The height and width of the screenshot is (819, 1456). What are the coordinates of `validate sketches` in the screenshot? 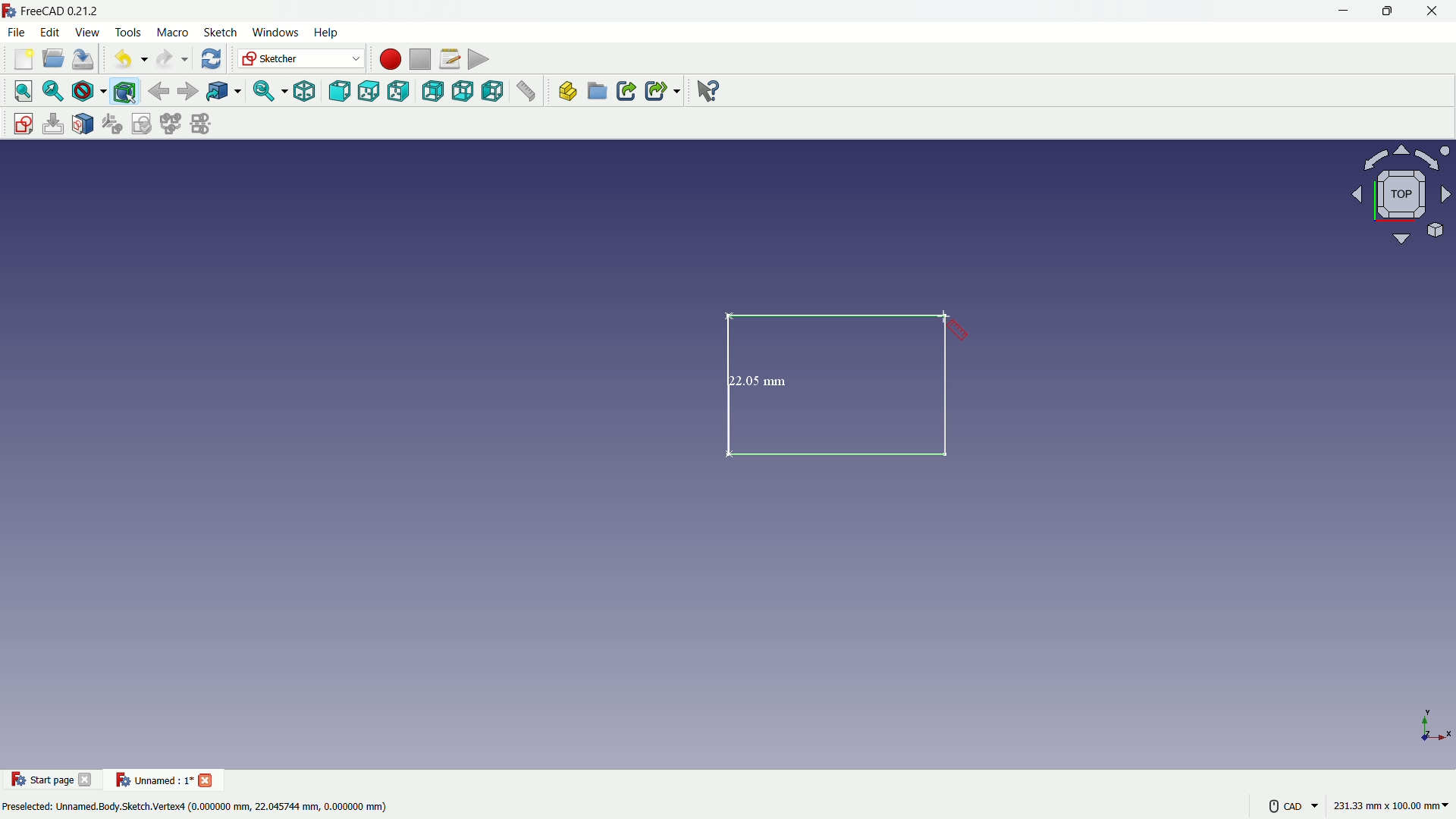 It's located at (143, 124).